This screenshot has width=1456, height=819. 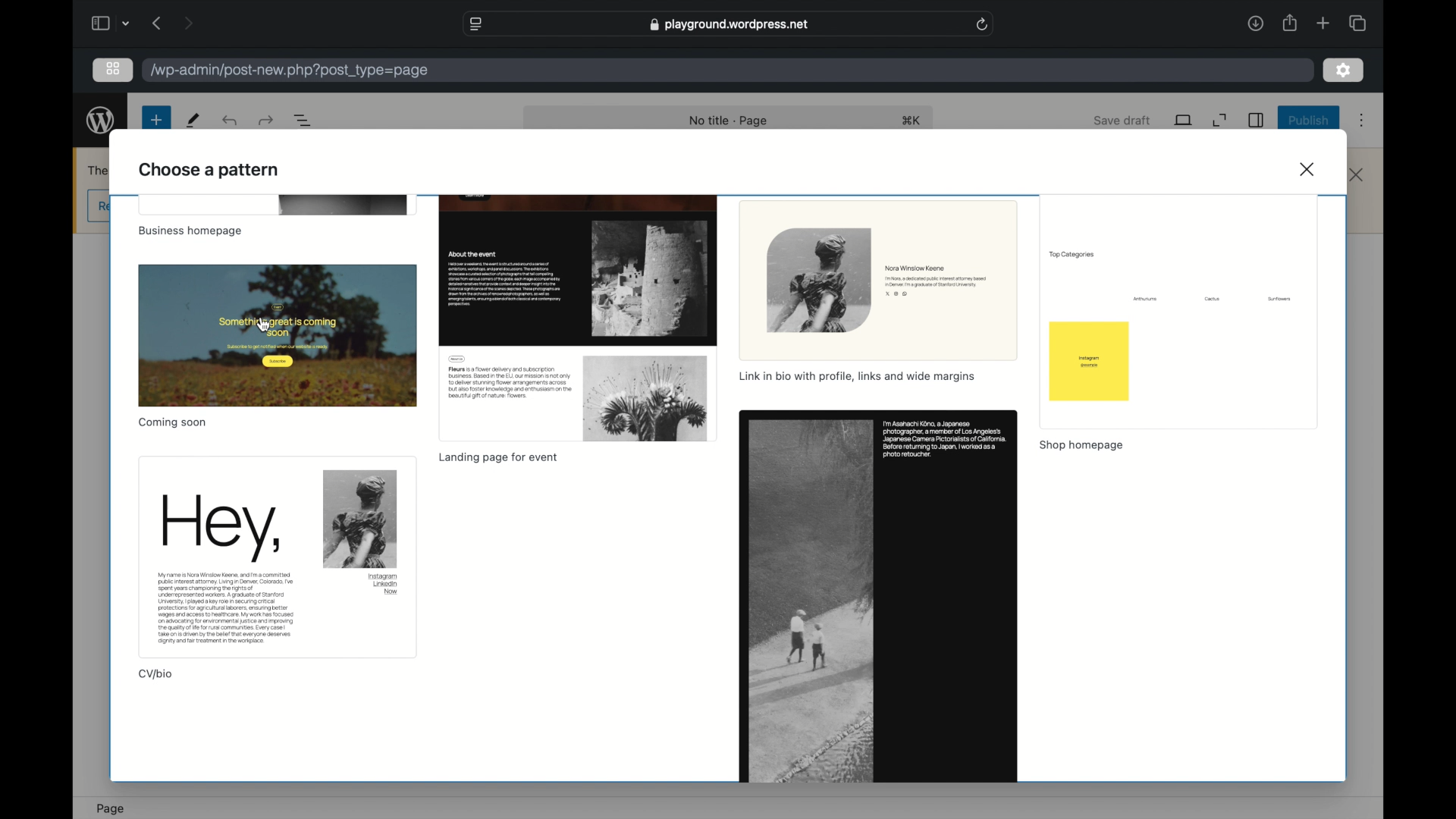 What do you see at coordinates (579, 317) in the screenshot?
I see `preview` at bounding box center [579, 317].